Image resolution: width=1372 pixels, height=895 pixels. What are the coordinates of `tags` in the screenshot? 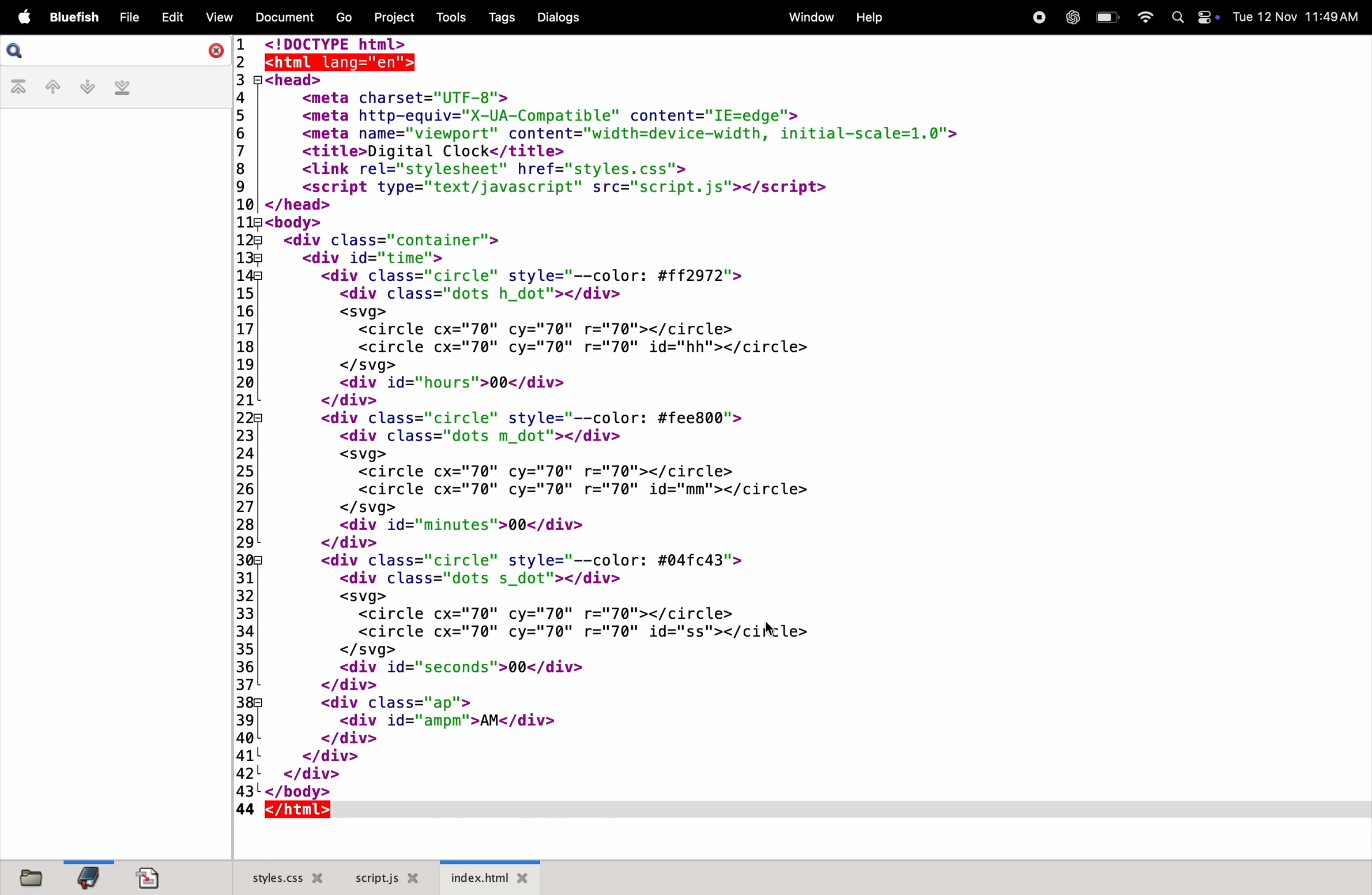 It's located at (504, 17).